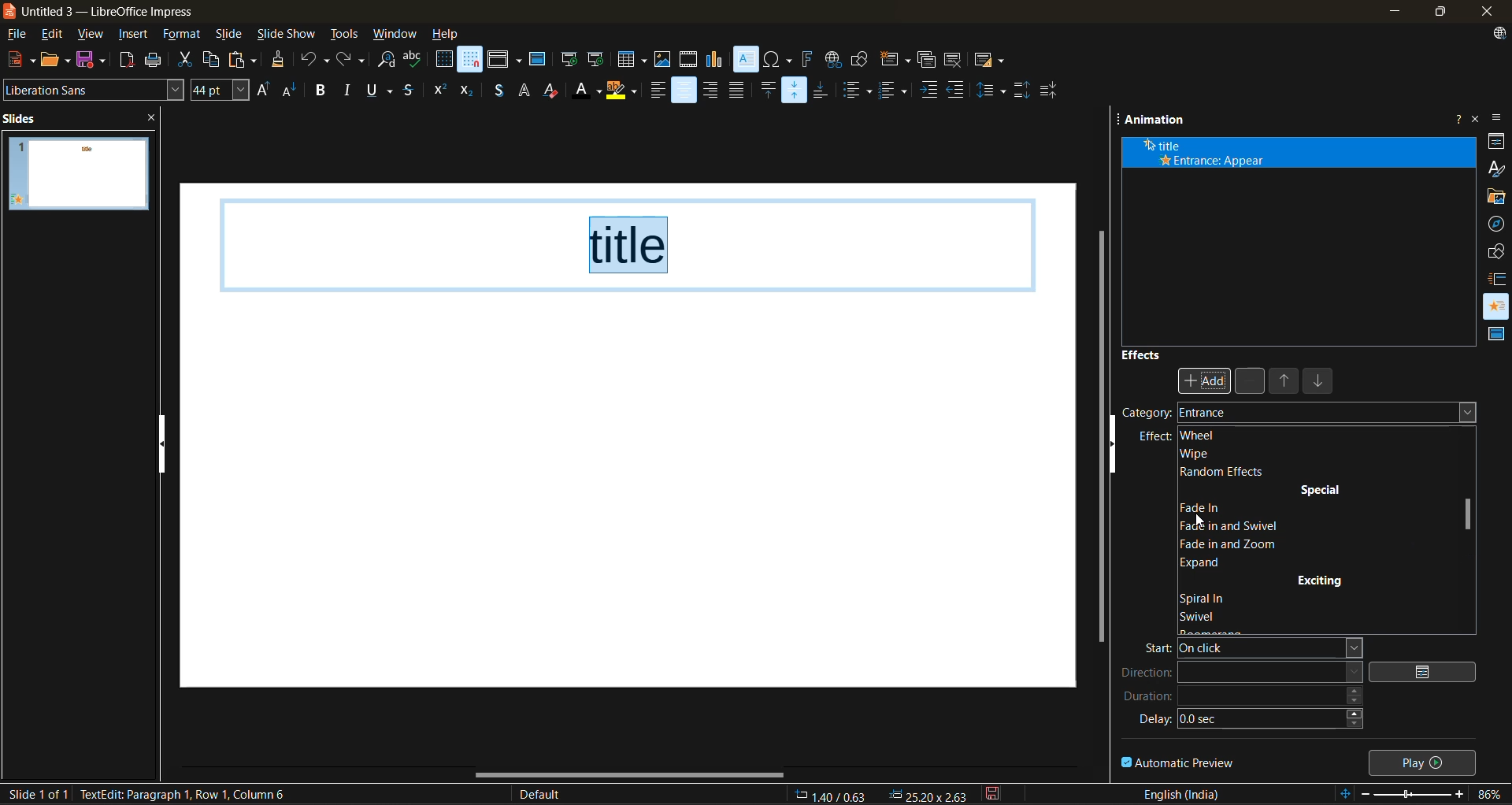 The image size is (1512, 805). I want to click on slide show, so click(287, 35).